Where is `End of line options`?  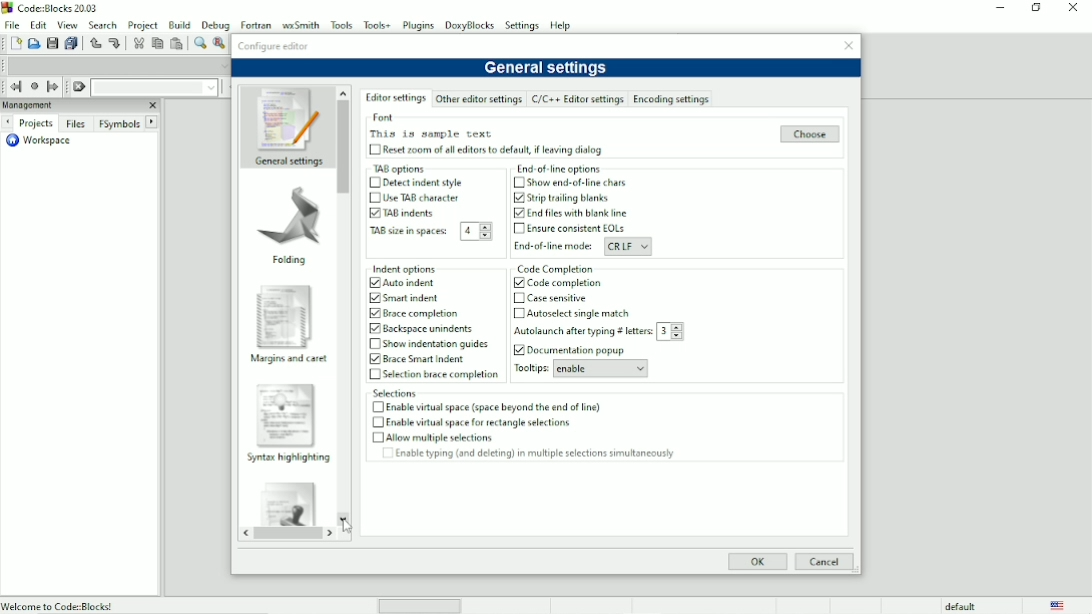 End of line options is located at coordinates (556, 169).